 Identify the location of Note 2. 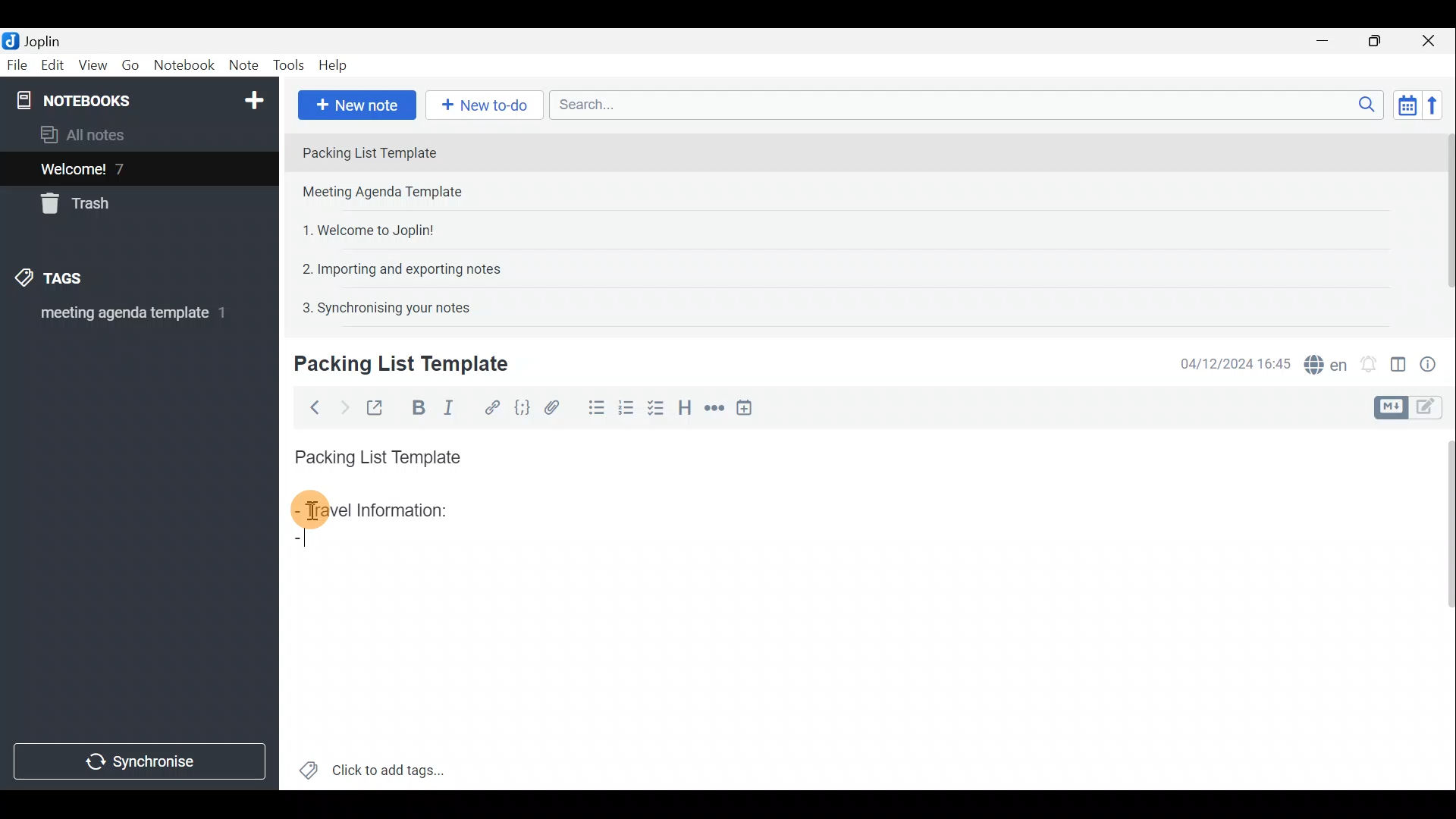
(397, 193).